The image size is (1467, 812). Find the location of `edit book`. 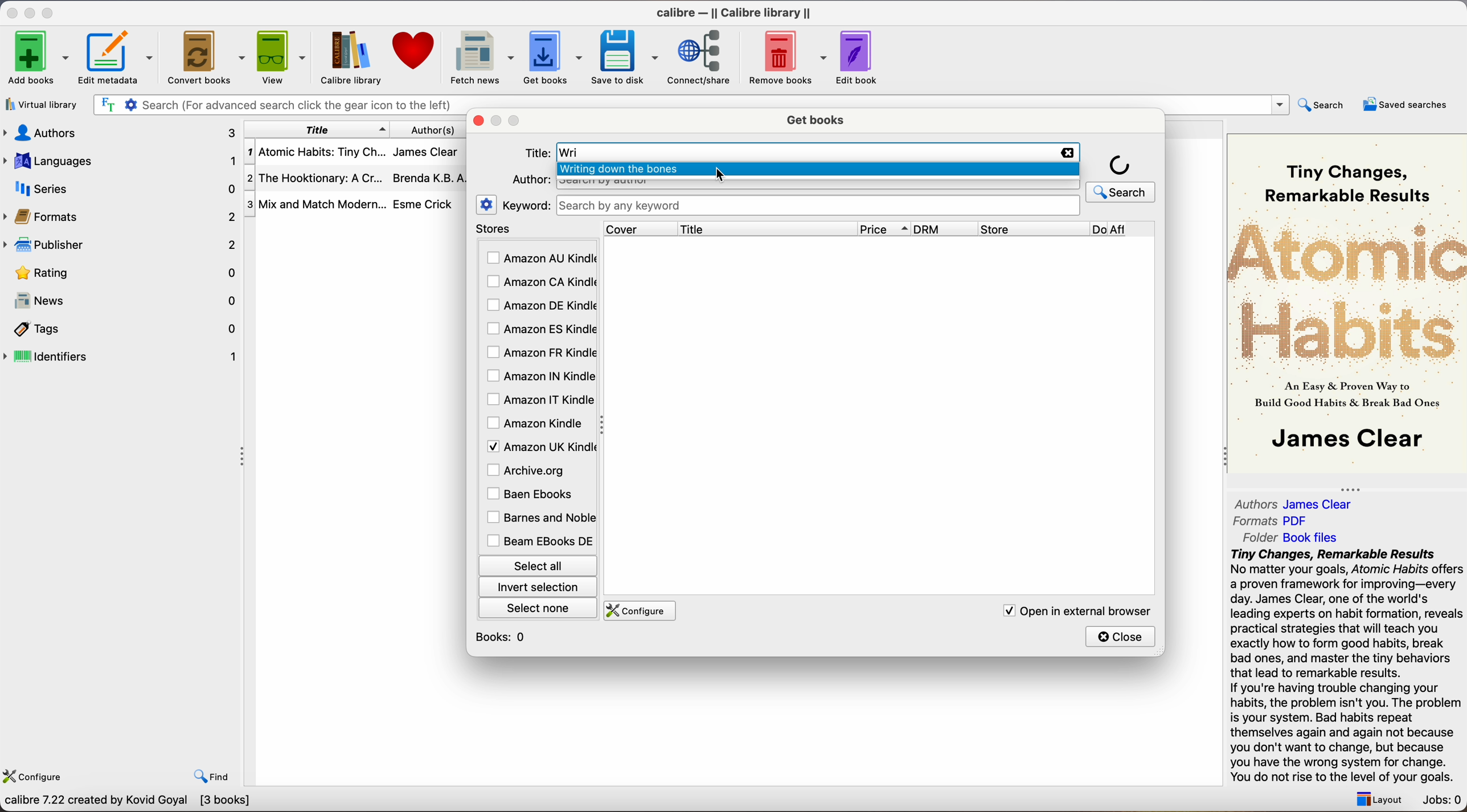

edit book is located at coordinates (859, 58).